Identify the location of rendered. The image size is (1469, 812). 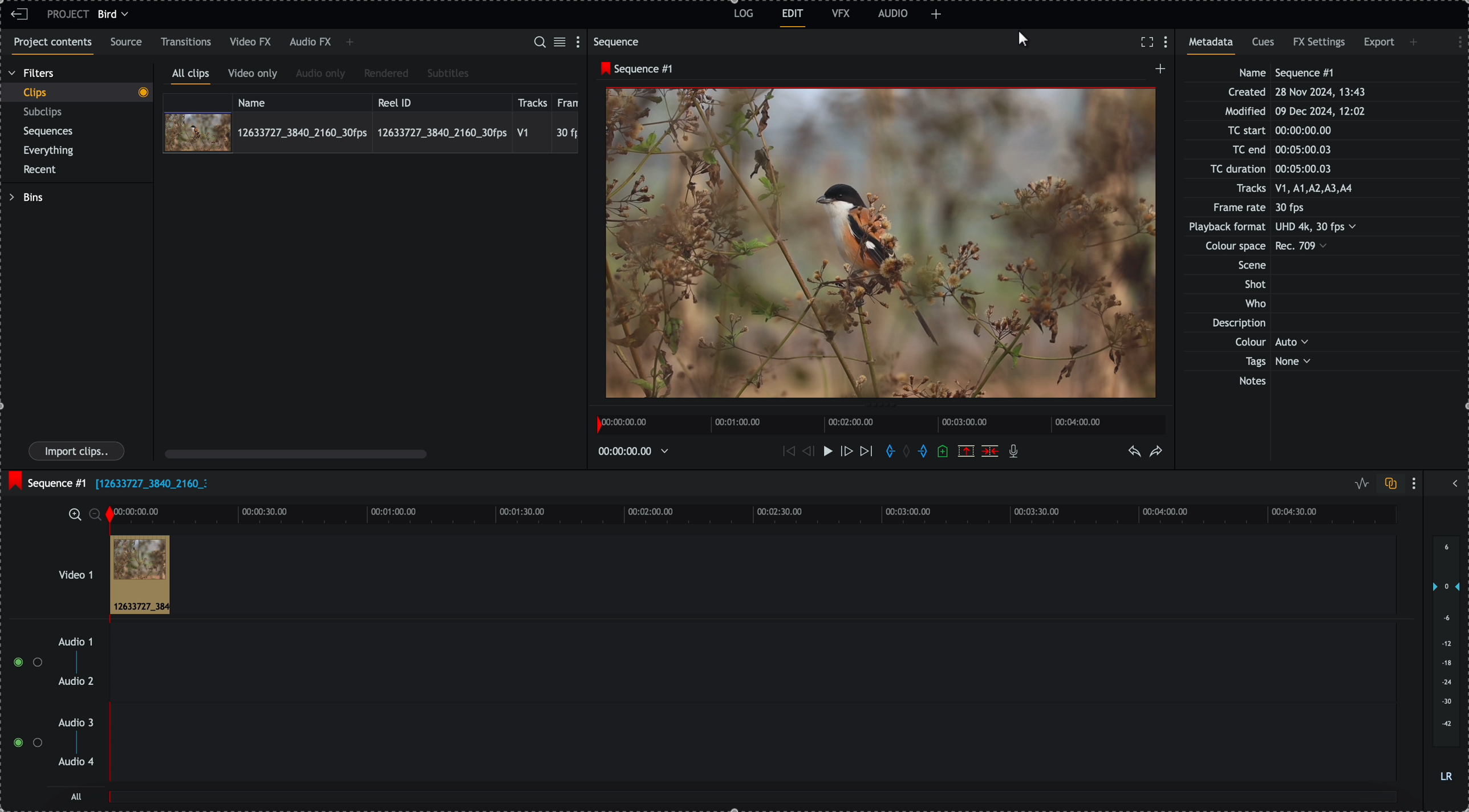
(386, 74).